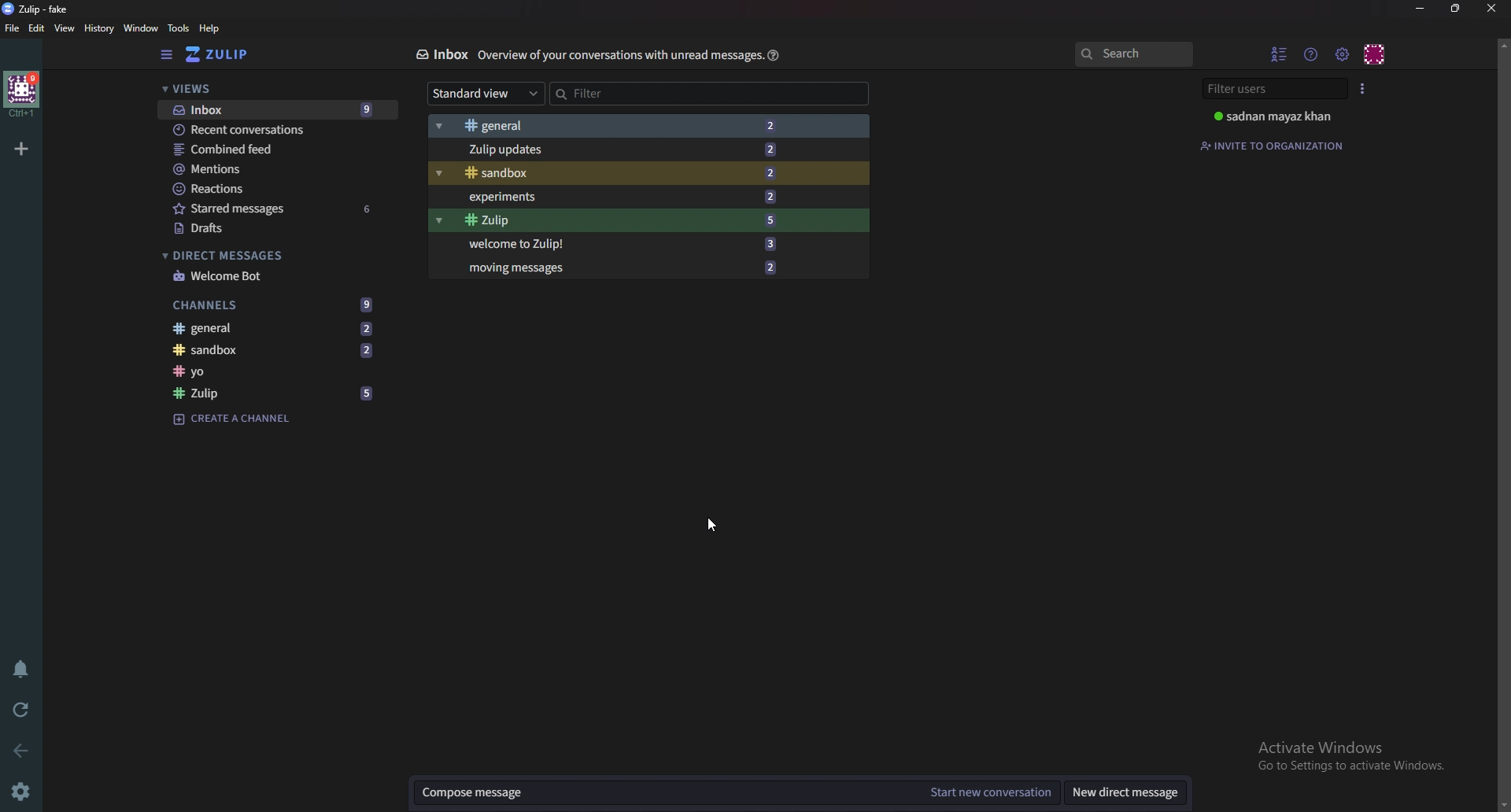 Image resolution: width=1511 pixels, height=812 pixels. What do you see at coordinates (1273, 88) in the screenshot?
I see `Filter users` at bounding box center [1273, 88].